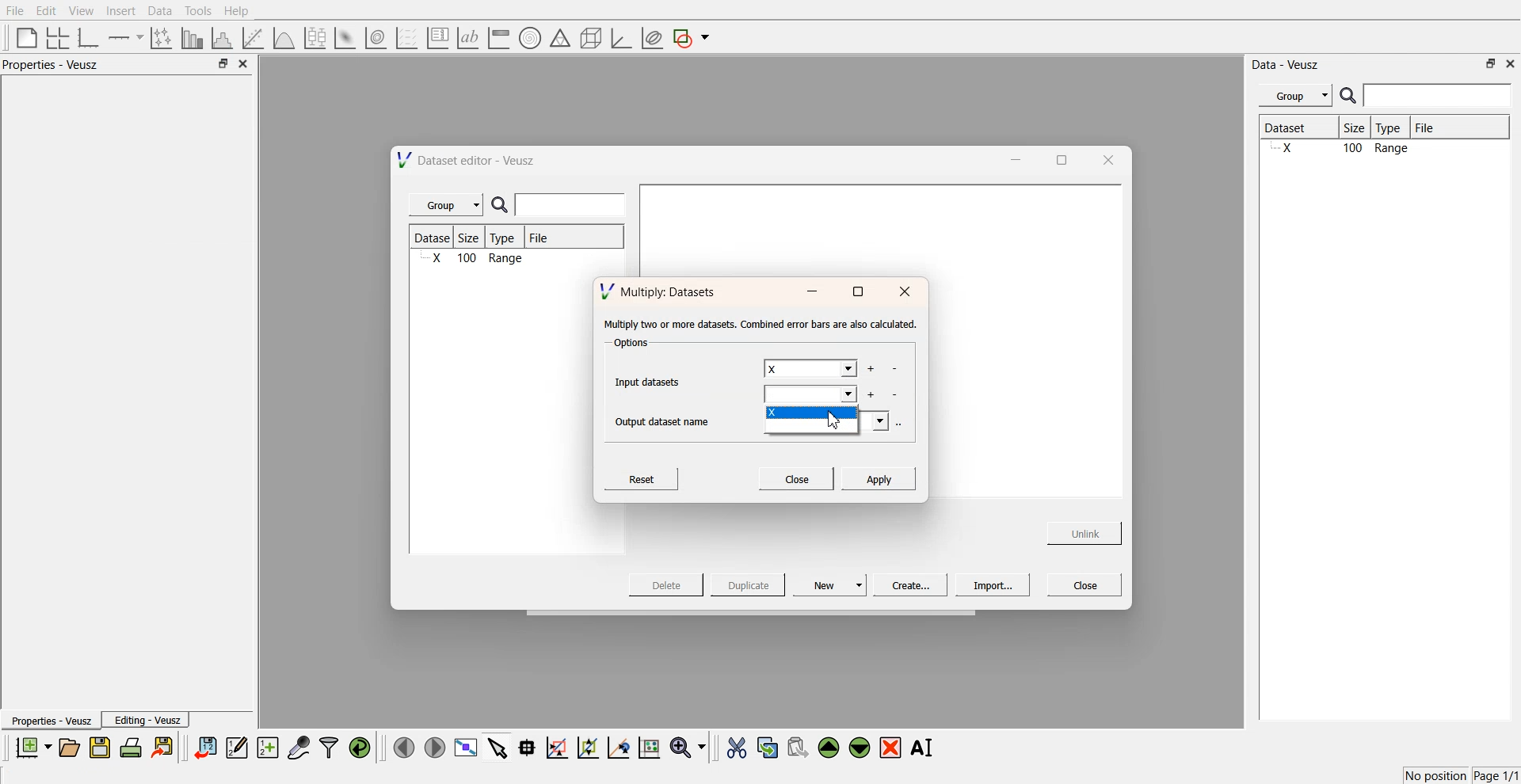 The width and height of the screenshot is (1521, 784). I want to click on Dataset, so click(434, 238).